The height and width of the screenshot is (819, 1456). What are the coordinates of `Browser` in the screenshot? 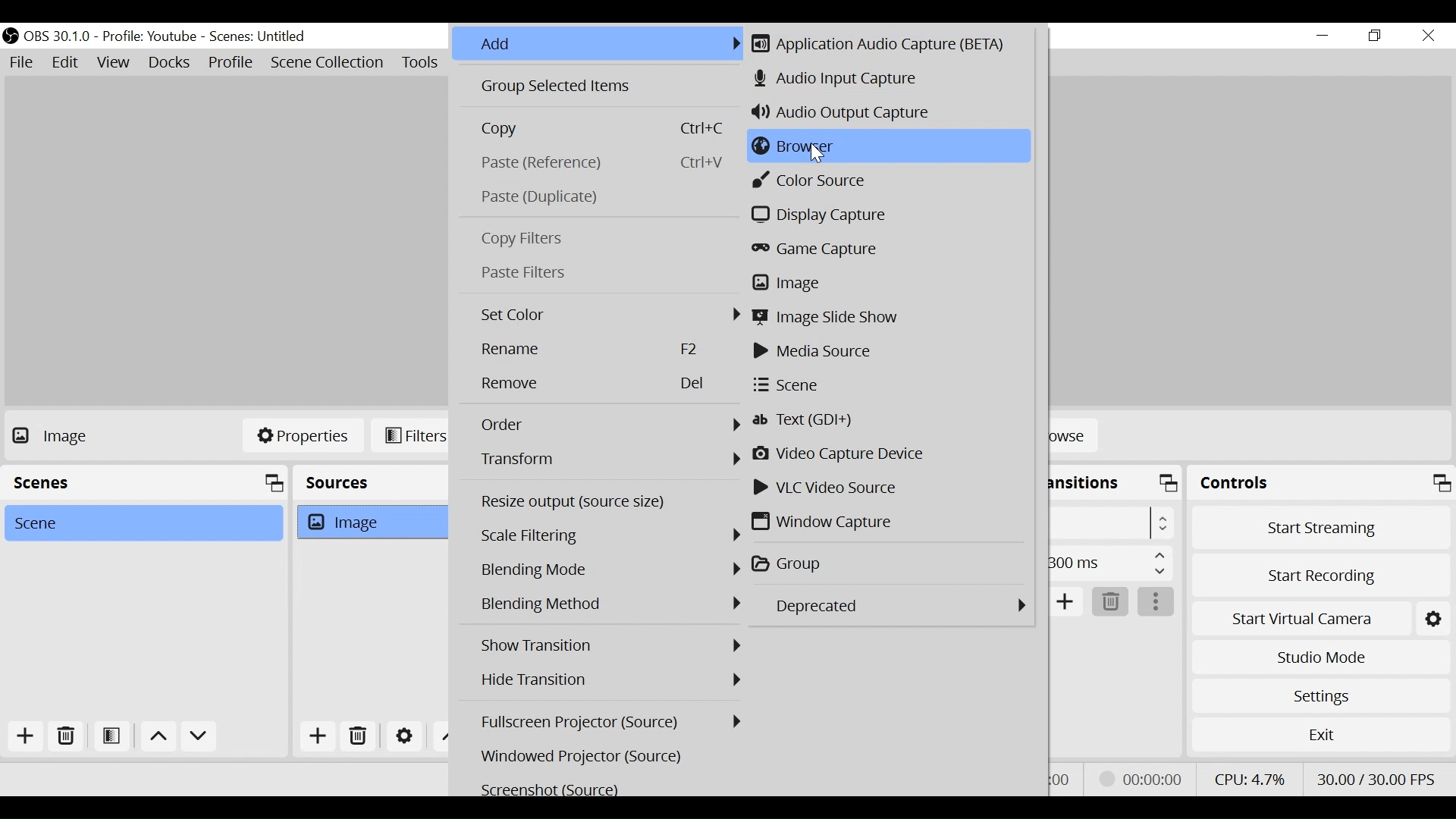 It's located at (890, 146).